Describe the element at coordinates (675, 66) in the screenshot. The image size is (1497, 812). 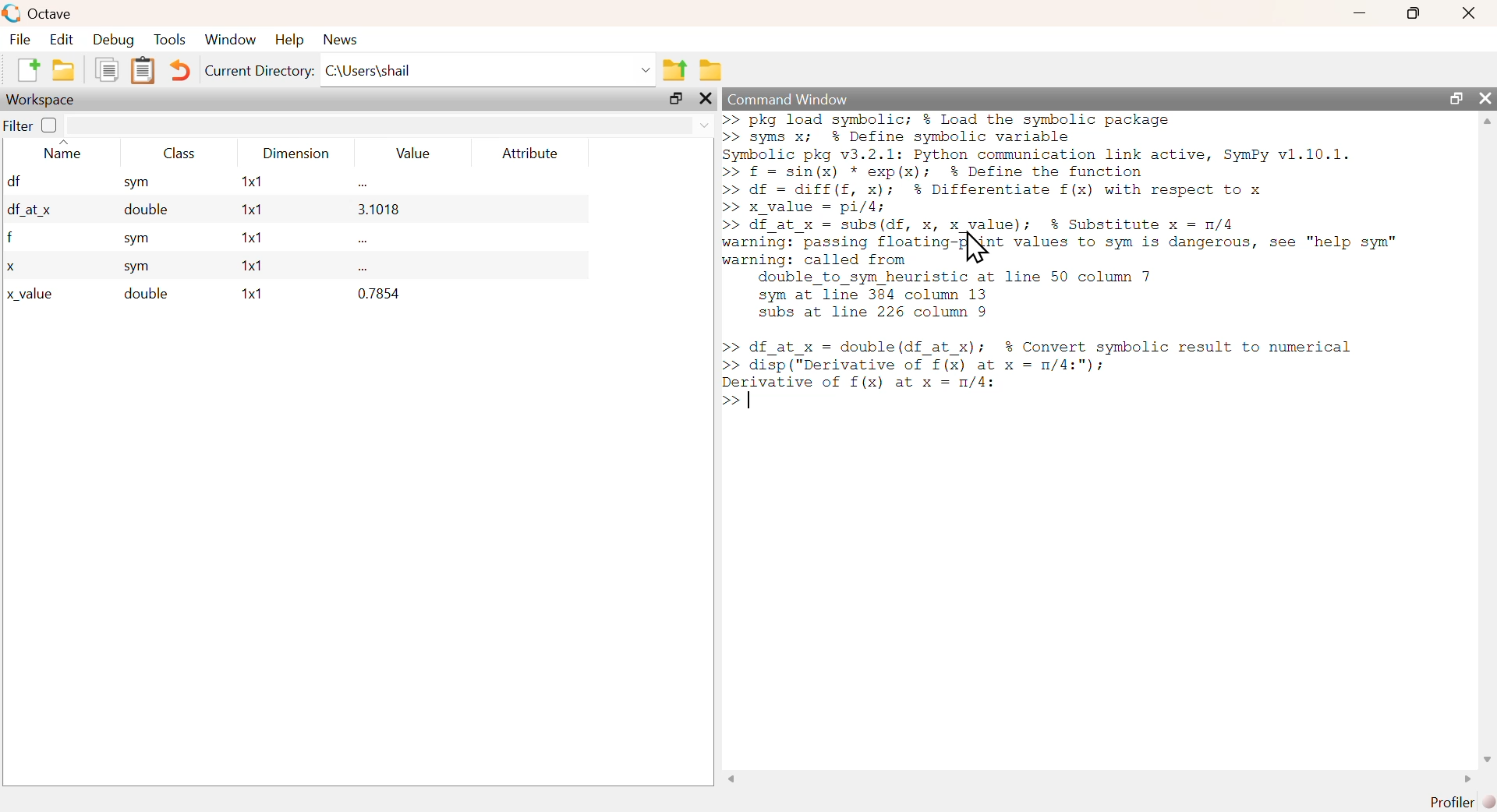
I see `One directory up` at that location.